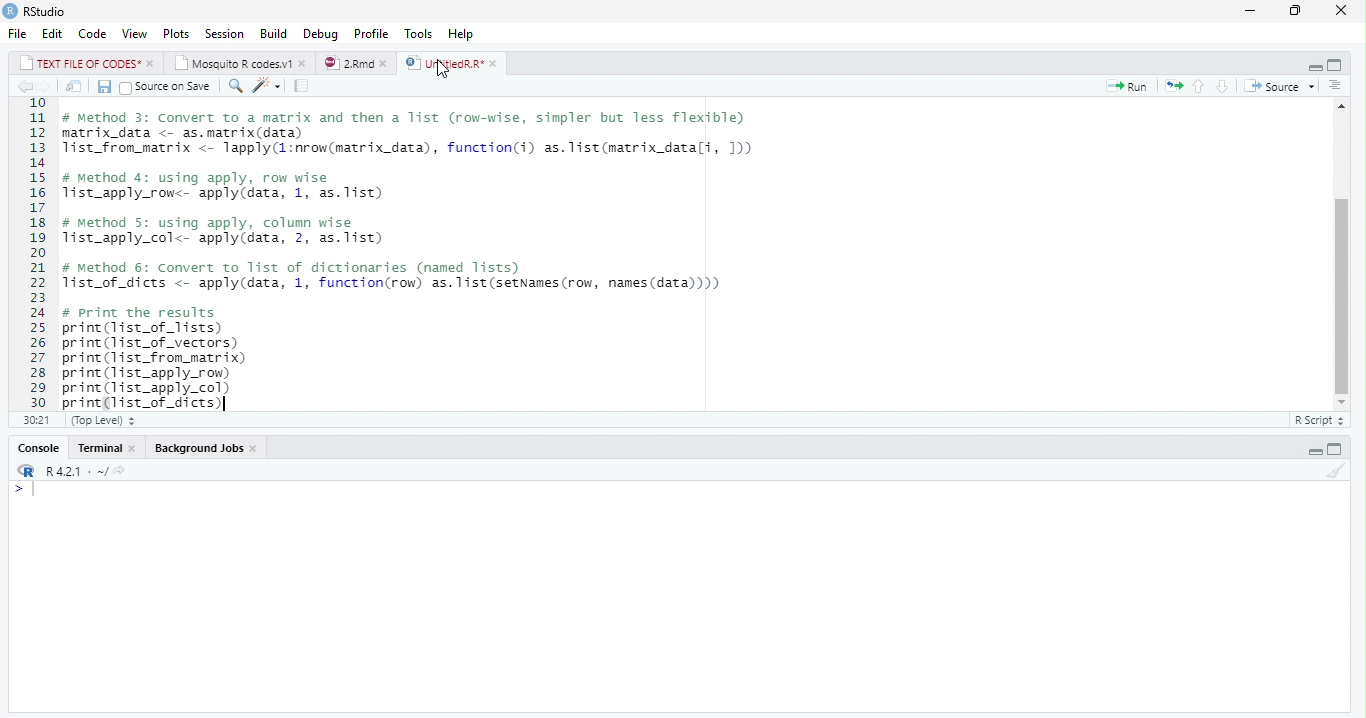 Image resolution: width=1366 pixels, height=718 pixels. Describe the element at coordinates (421, 285) in the screenshot. I see `Tist_of_dicts <- apply(data, 1, function(row) as.list(setNames(row, names(data))))` at that location.